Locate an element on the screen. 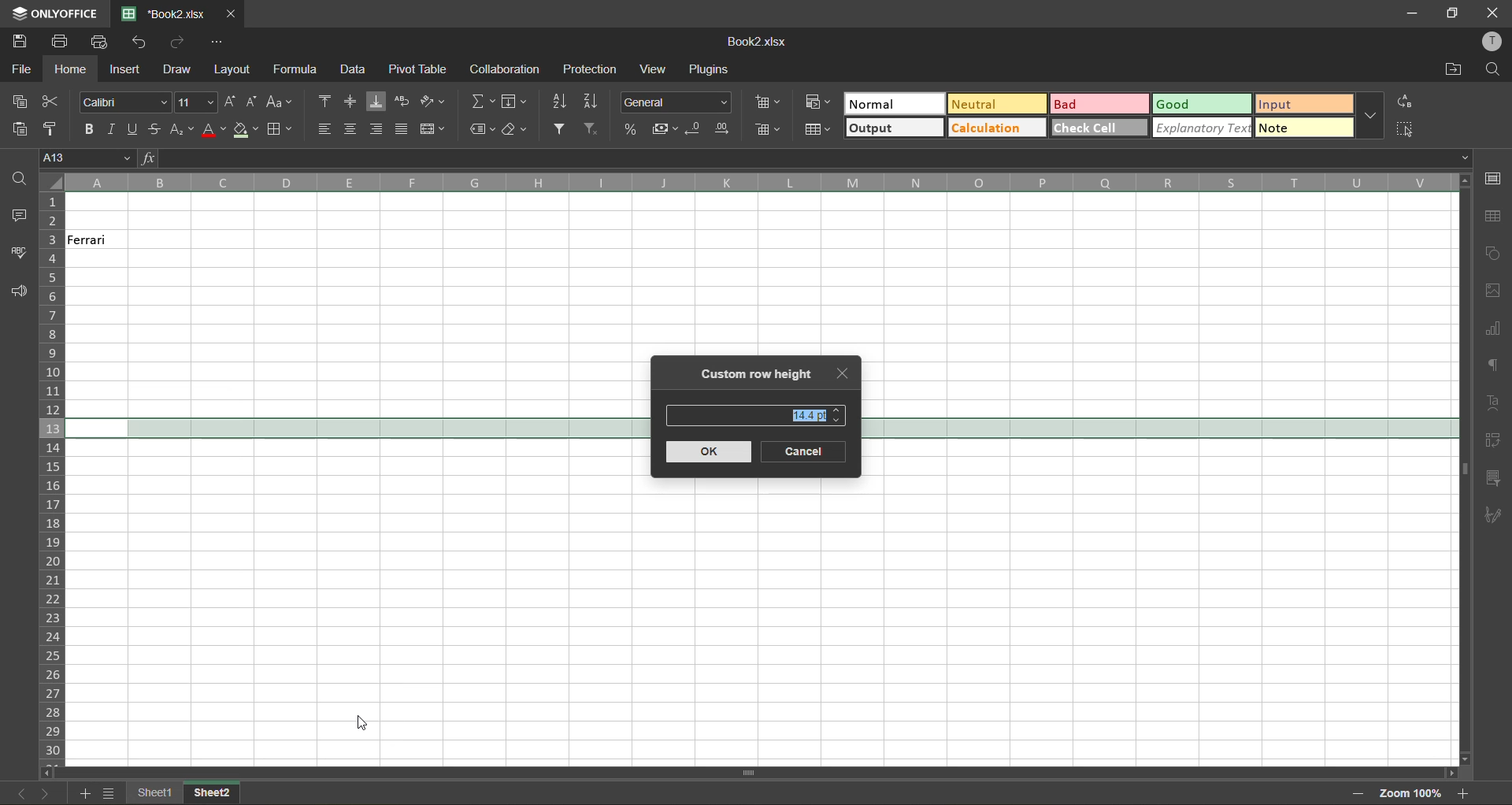 The height and width of the screenshot is (805, 1512). file is located at coordinates (23, 69).